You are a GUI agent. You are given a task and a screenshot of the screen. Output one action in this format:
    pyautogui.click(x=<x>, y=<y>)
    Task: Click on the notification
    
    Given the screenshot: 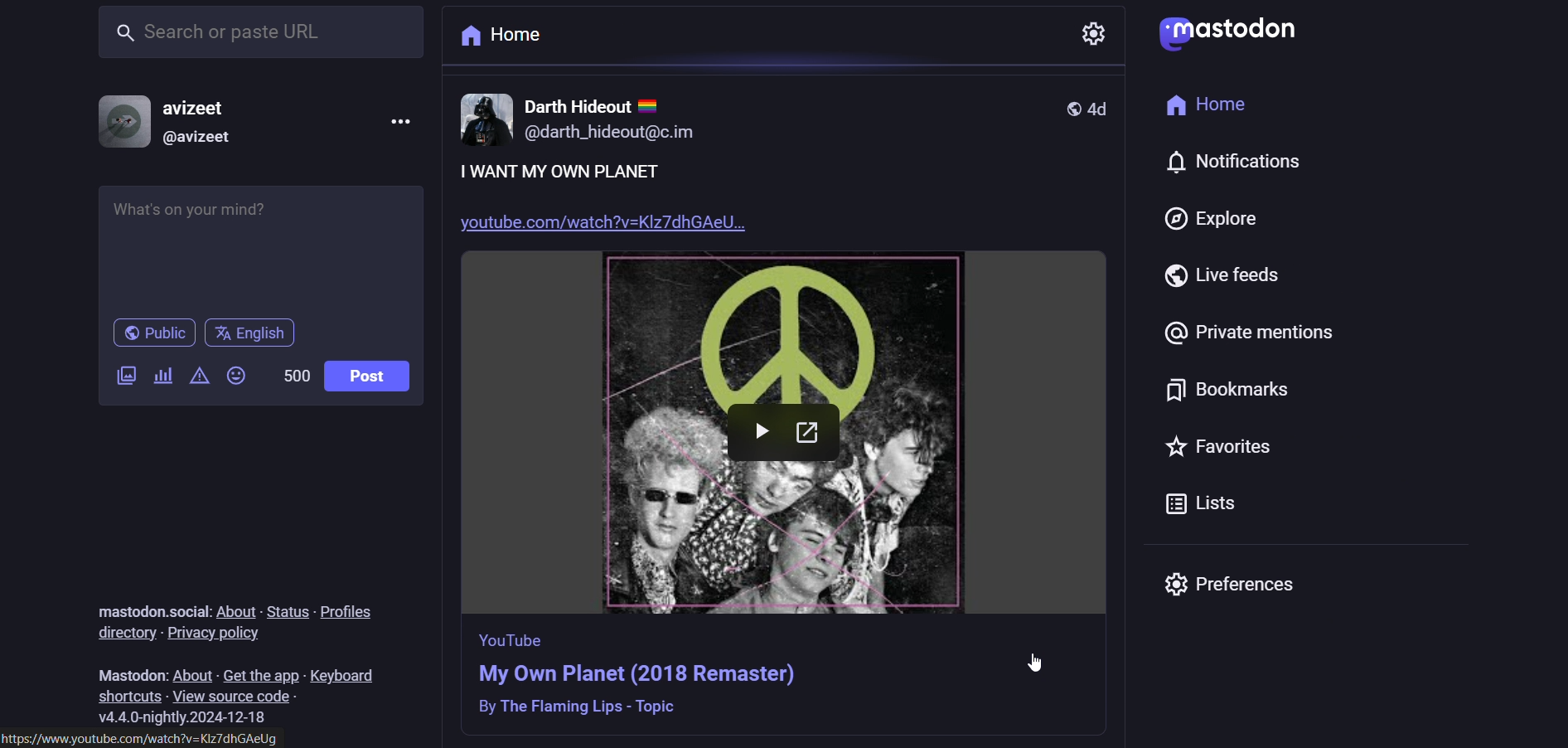 What is the action you would take?
    pyautogui.click(x=1251, y=163)
    